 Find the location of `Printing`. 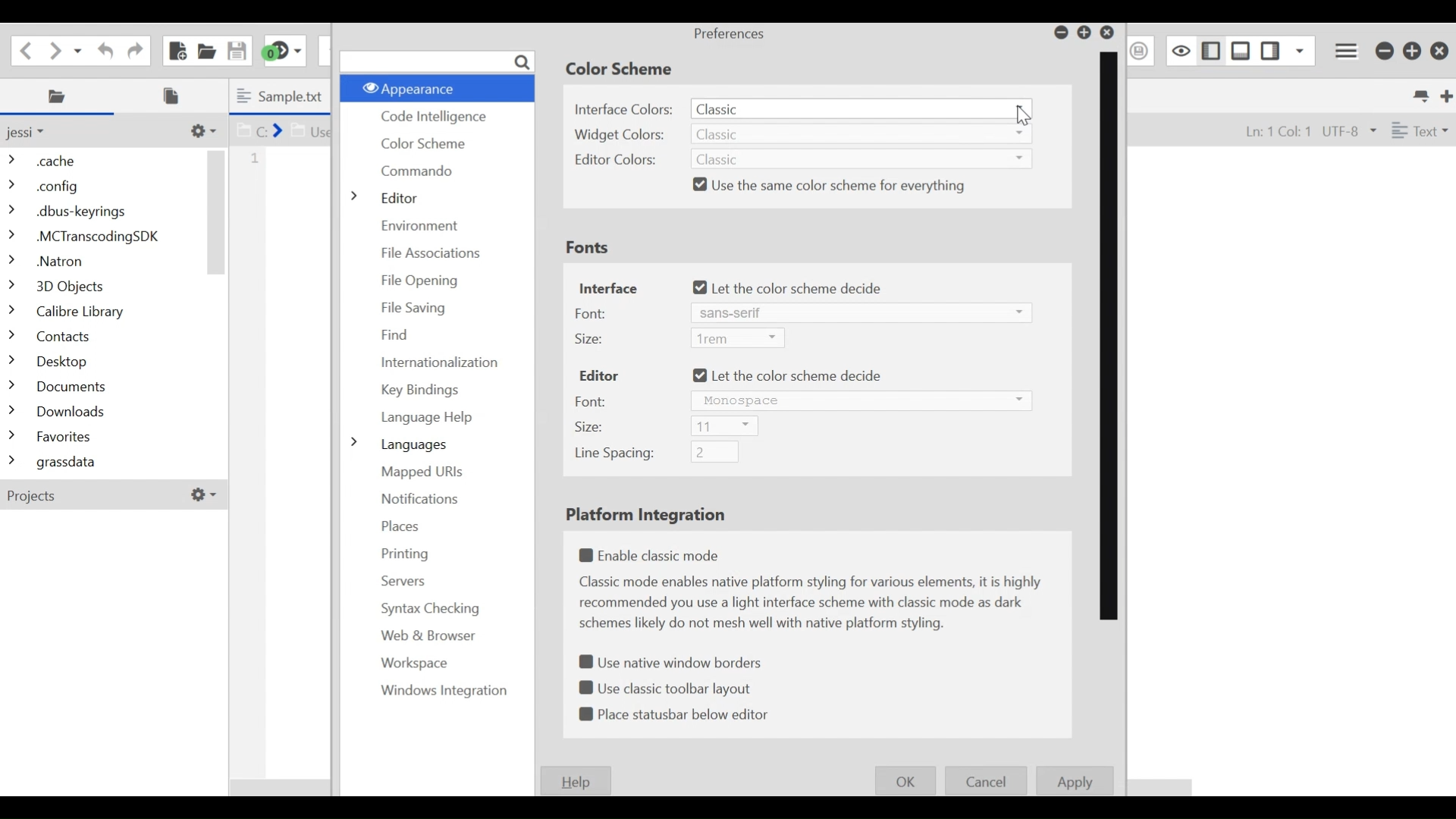

Printing is located at coordinates (400, 554).